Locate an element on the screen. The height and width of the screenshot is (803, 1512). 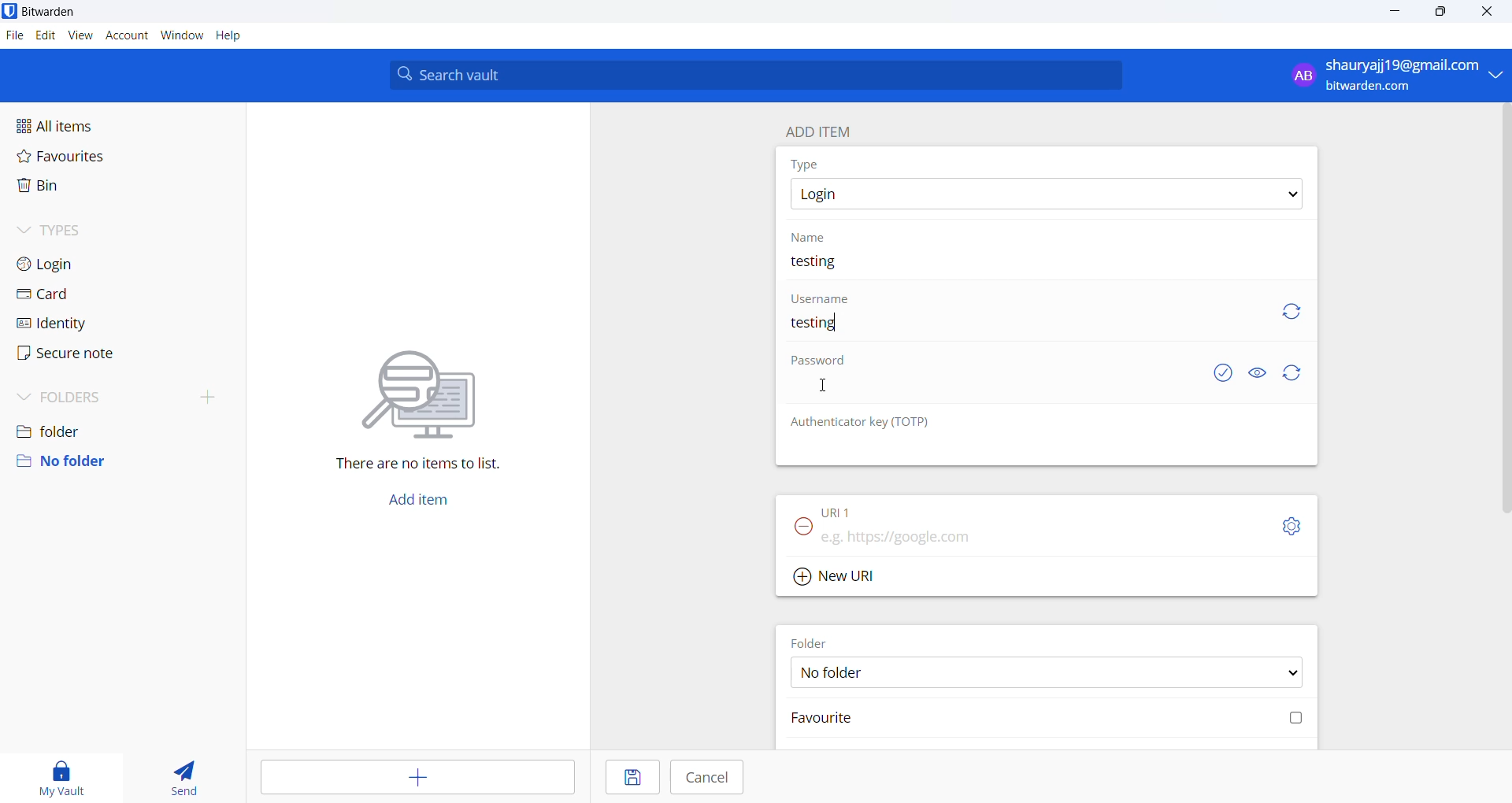
login is located at coordinates (82, 265).